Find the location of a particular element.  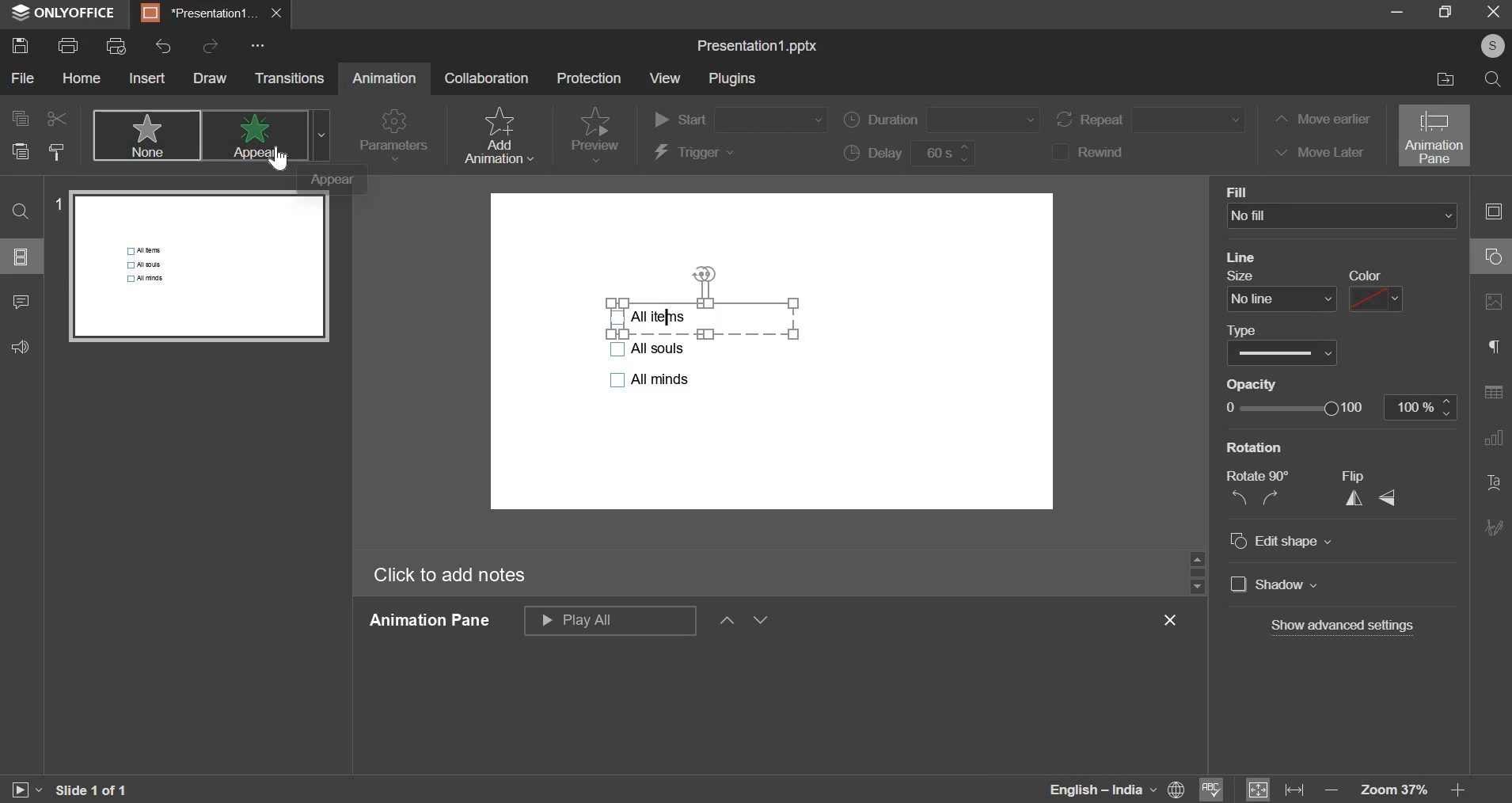

file name is located at coordinates (758, 47).